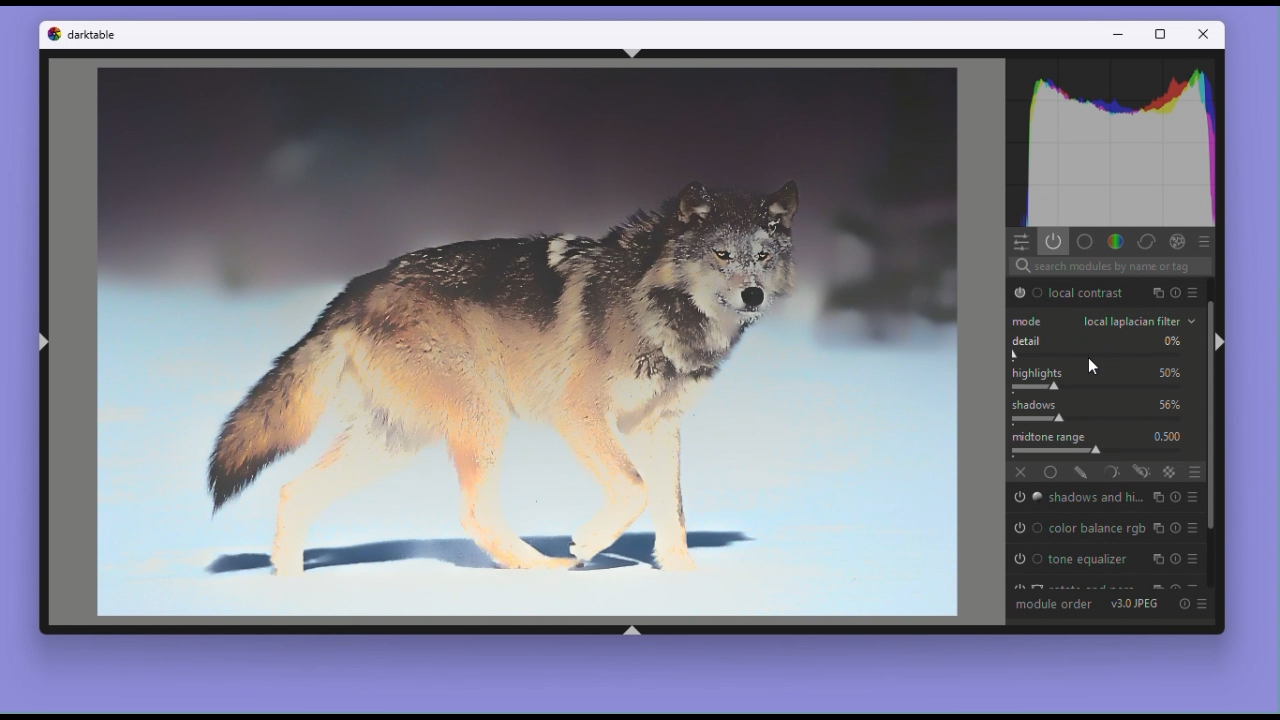 Image resolution: width=1280 pixels, height=720 pixels. What do you see at coordinates (1104, 348) in the screenshot?
I see `Detail` at bounding box center [1104, 348].